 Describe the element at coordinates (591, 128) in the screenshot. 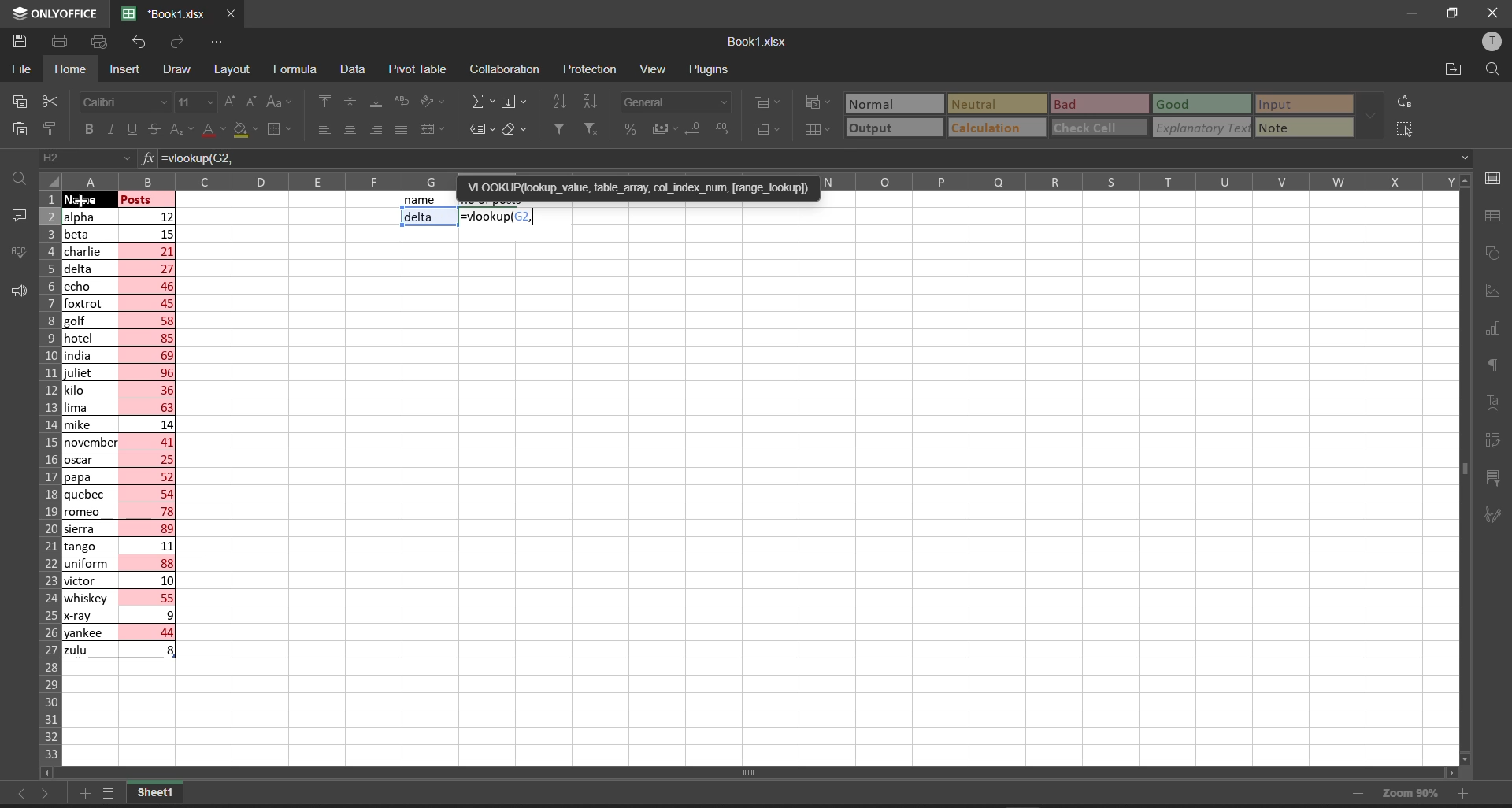

I see `clear filters` at that location.